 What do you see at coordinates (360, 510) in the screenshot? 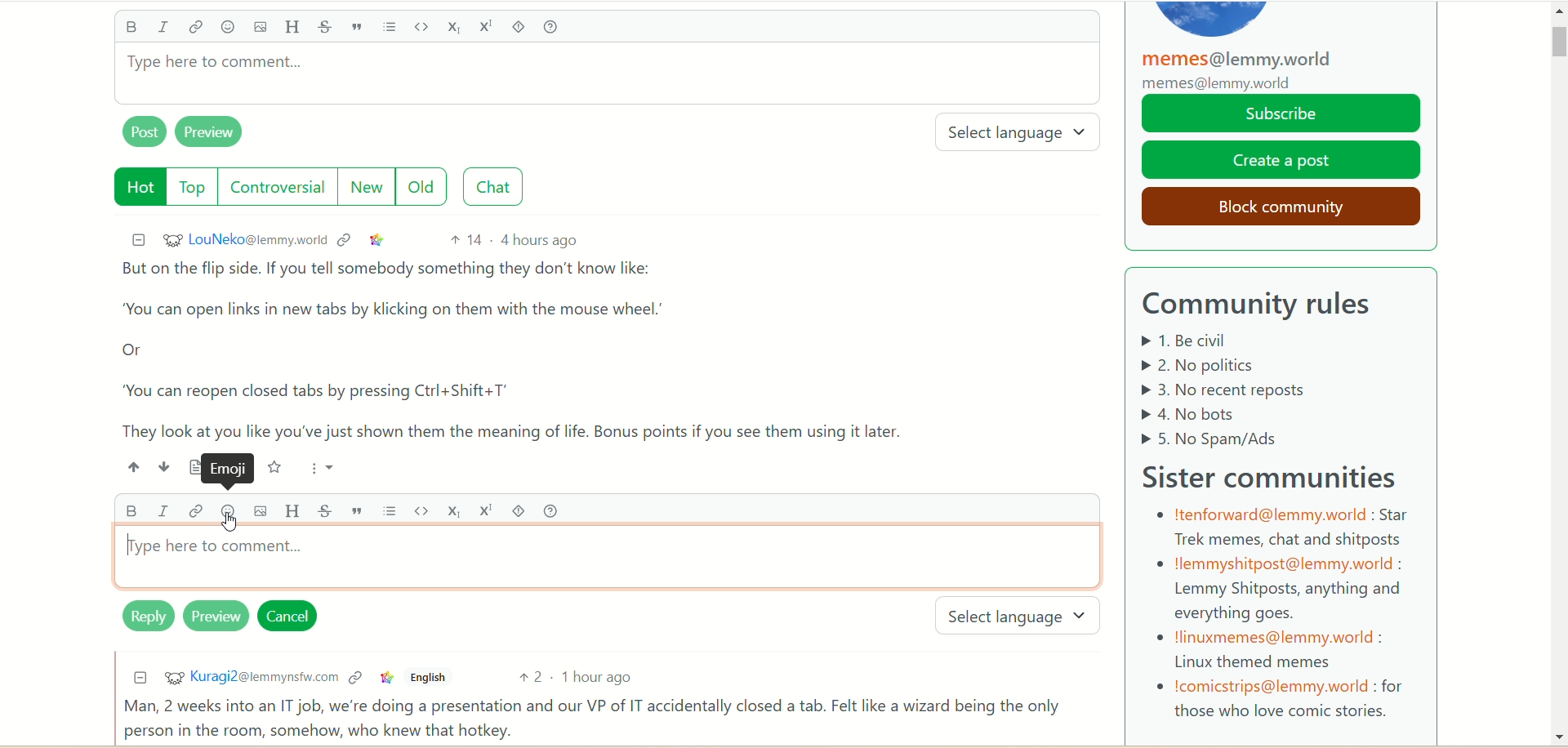
I see `quote` at bounding box center [360, 510].